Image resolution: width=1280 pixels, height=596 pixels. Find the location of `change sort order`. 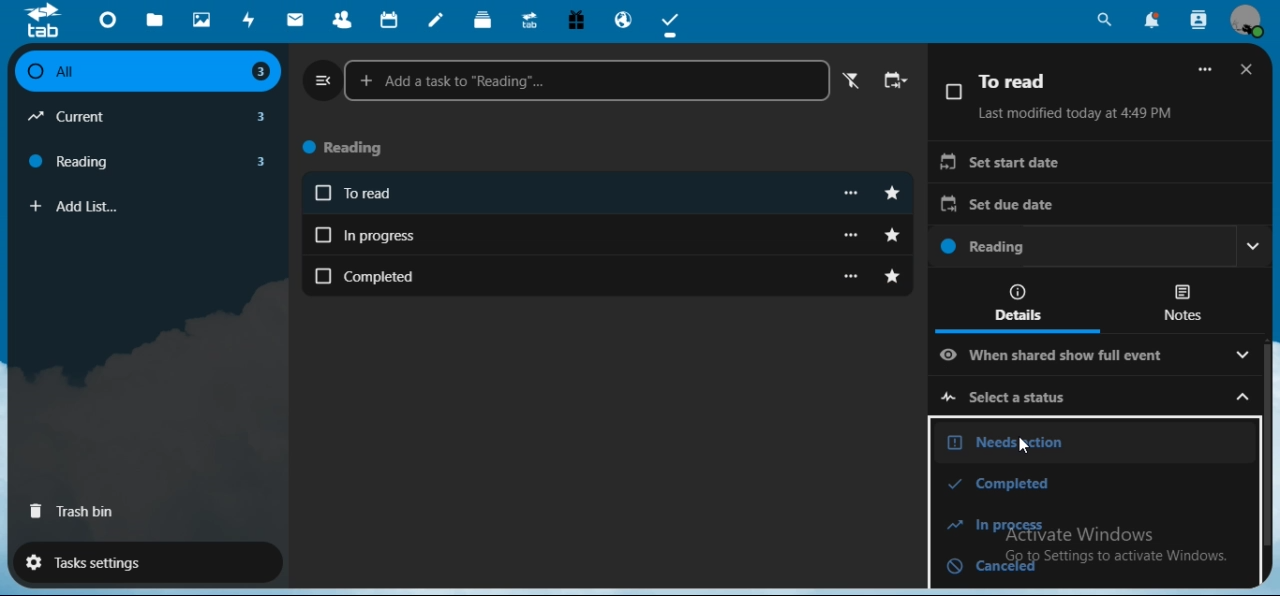

change sort order is located at coordinates (897, 82).